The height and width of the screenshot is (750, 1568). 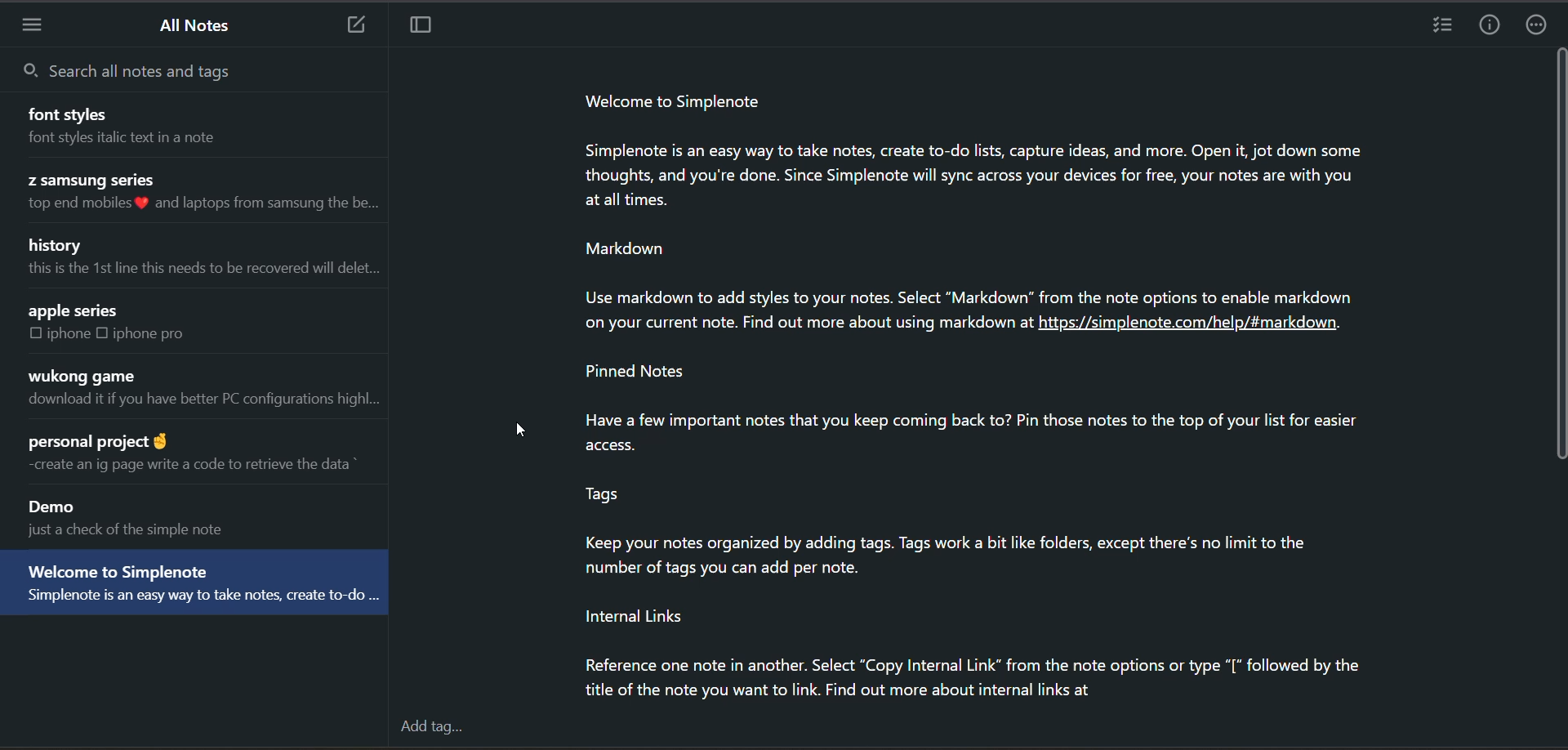 What do you see at coordinates (196, 602) in the screenshot?
I see `Simplenote is an easy way to take notes, create to-do ...` at bounding box center [196, 602].